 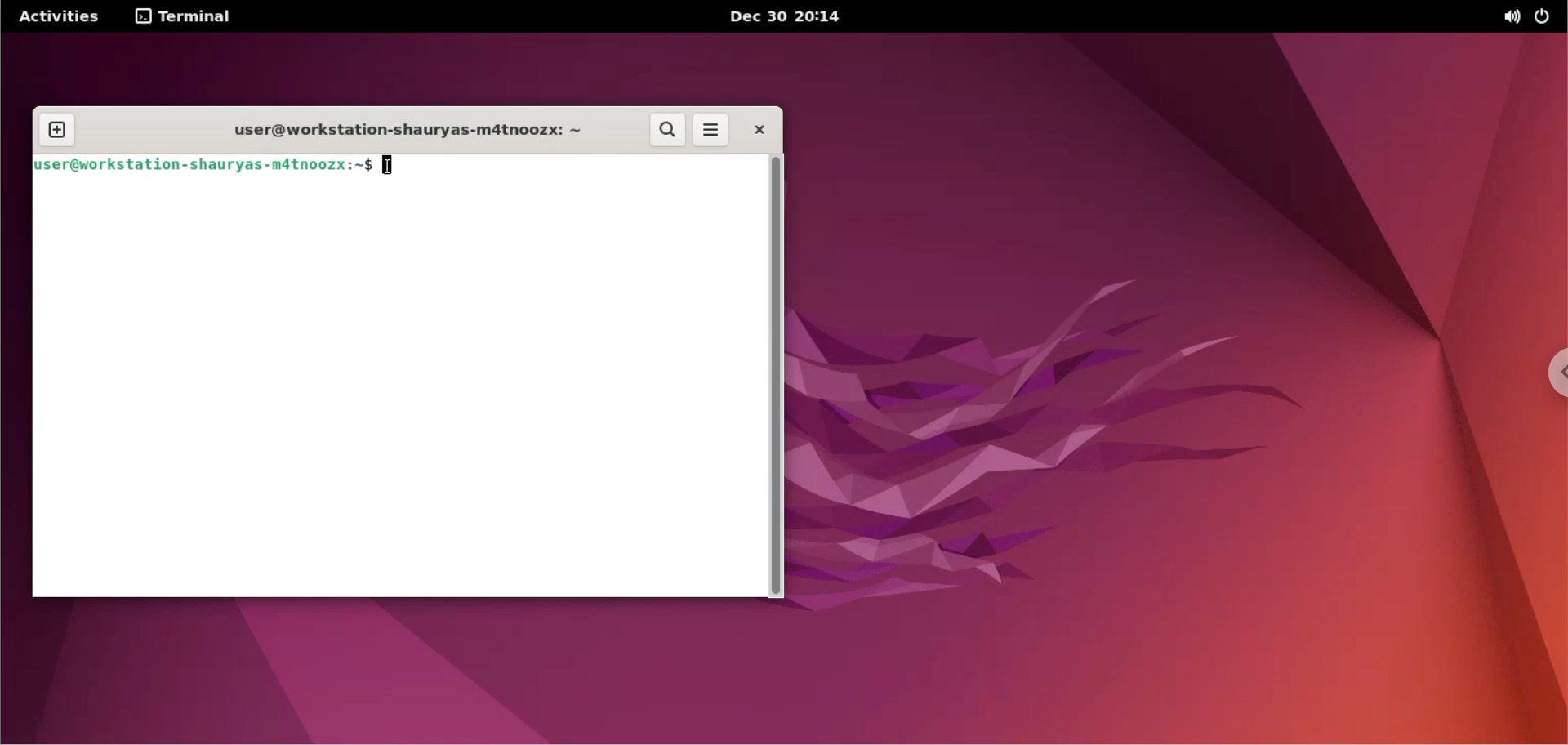 I want to click on user@workstation -shauryas-m4tnoozx:~$, so click(x=202, y=167).